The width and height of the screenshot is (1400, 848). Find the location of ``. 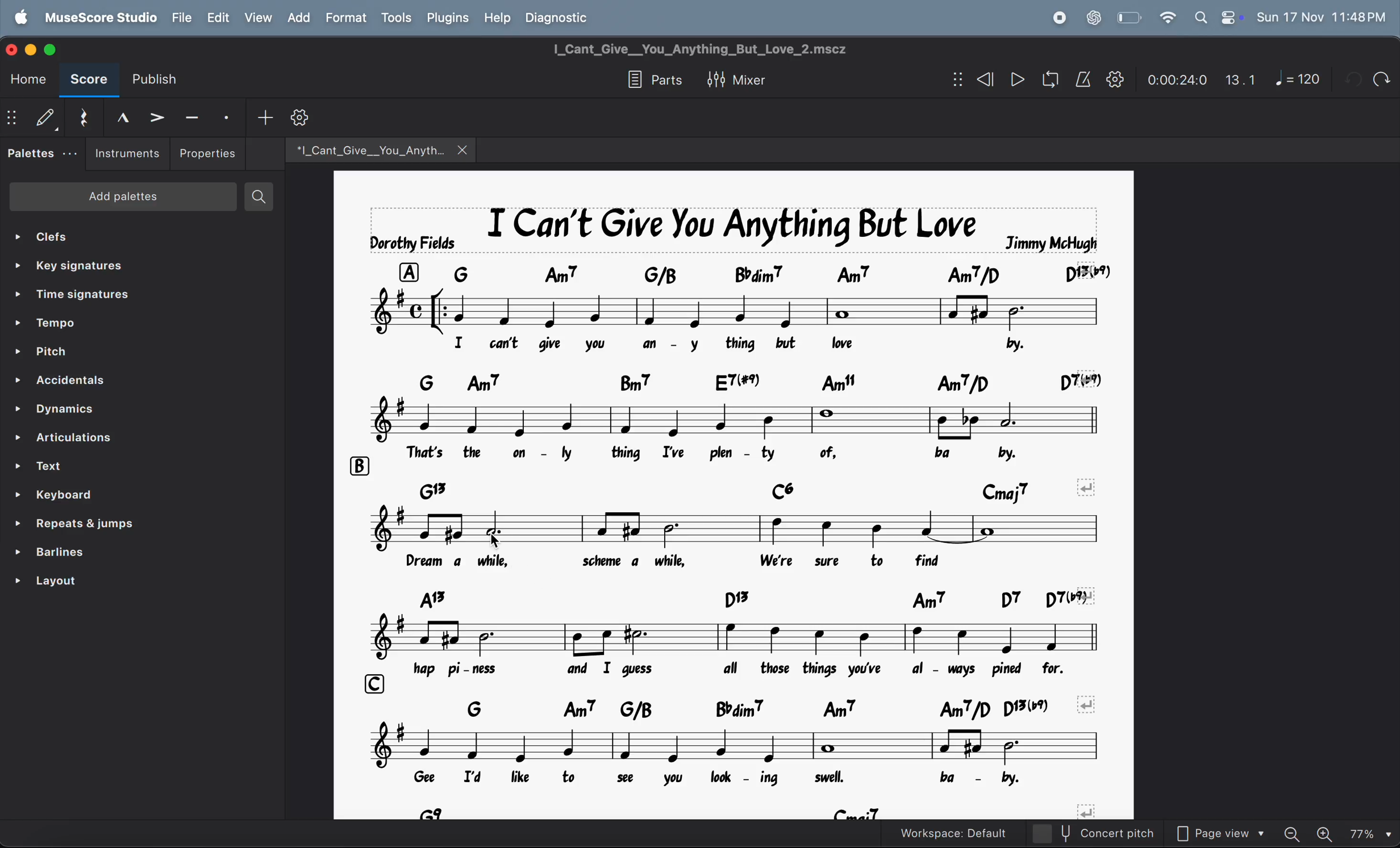

 is located at coordinates (748, 705).